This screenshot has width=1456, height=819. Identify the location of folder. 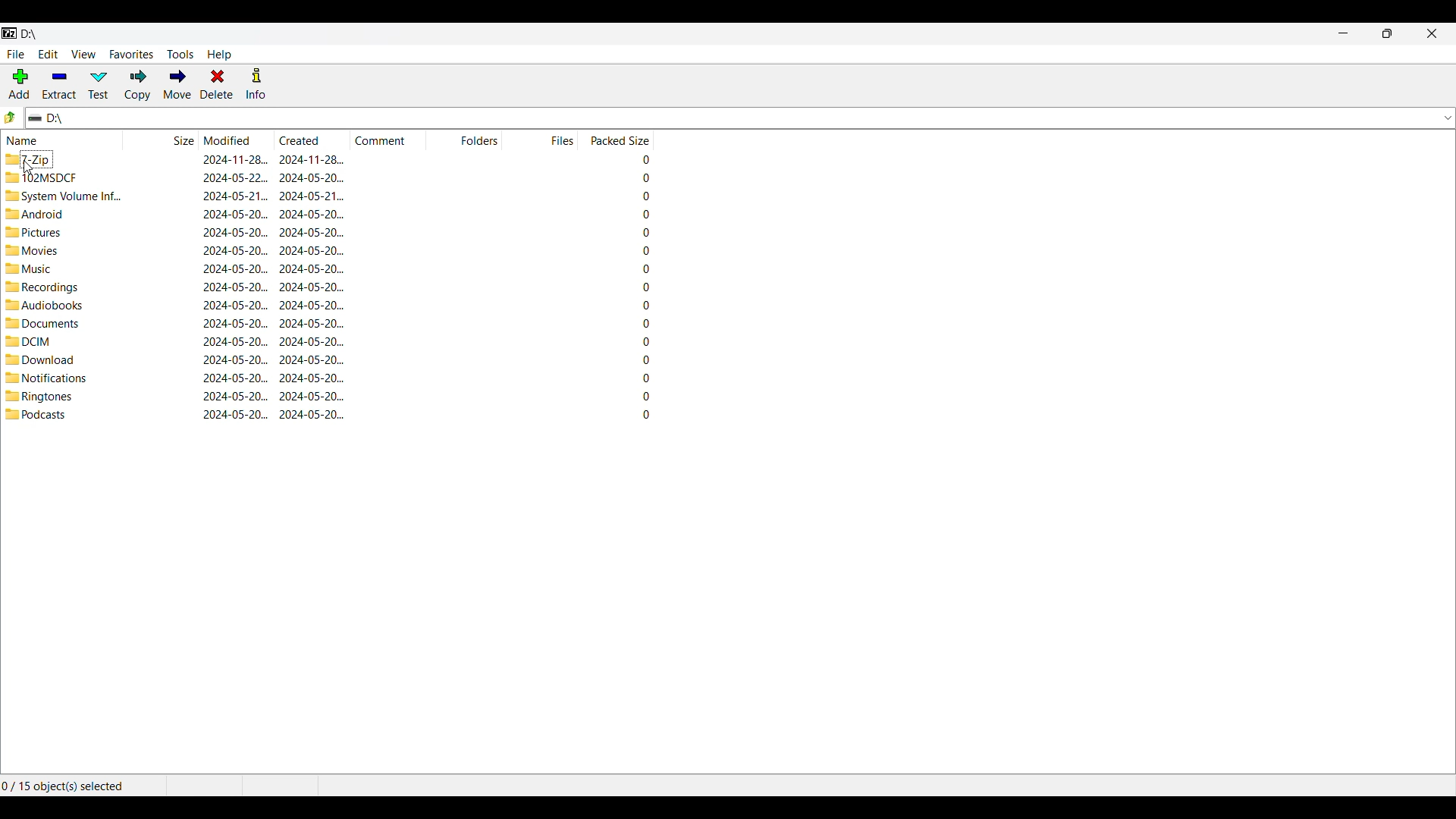
(34, 231).